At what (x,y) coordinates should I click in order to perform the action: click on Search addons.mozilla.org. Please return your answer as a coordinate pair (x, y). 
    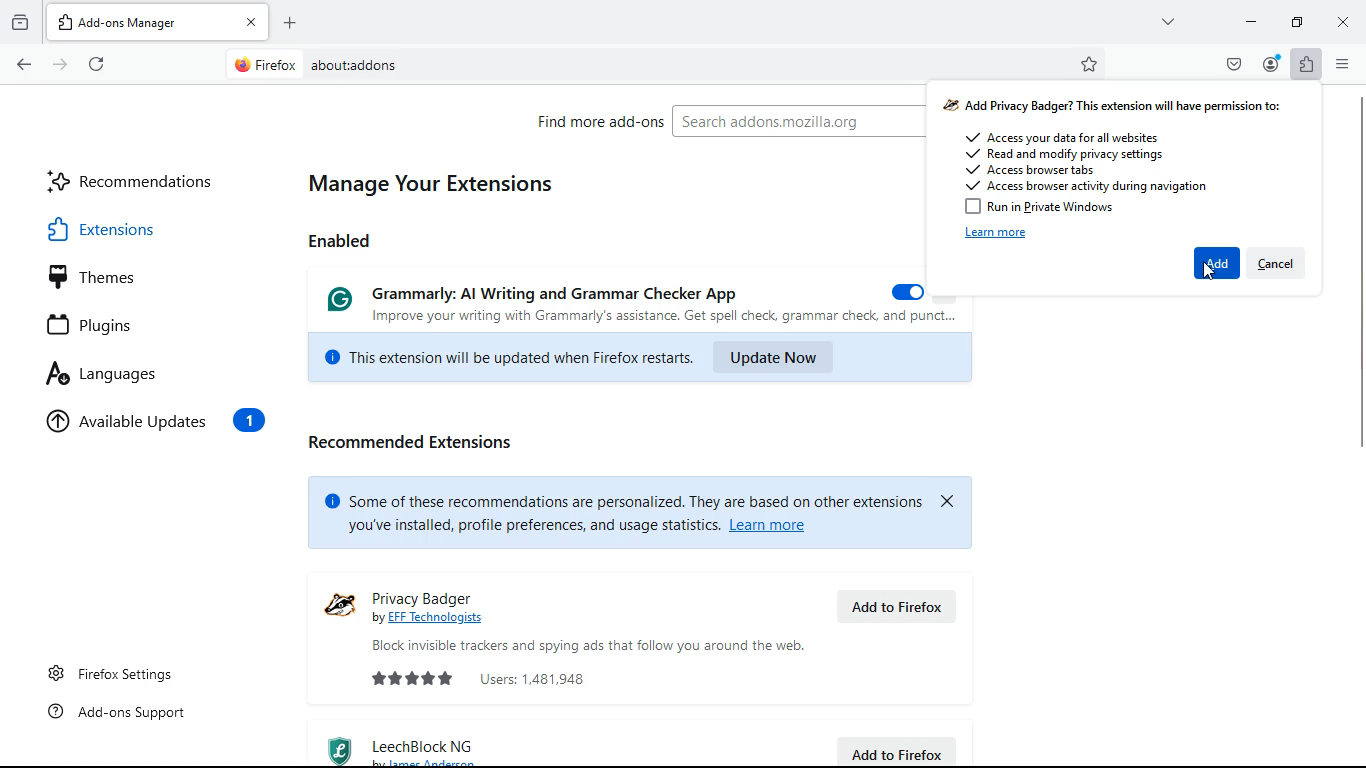
    Looking at the image, I should click on (798, 120).